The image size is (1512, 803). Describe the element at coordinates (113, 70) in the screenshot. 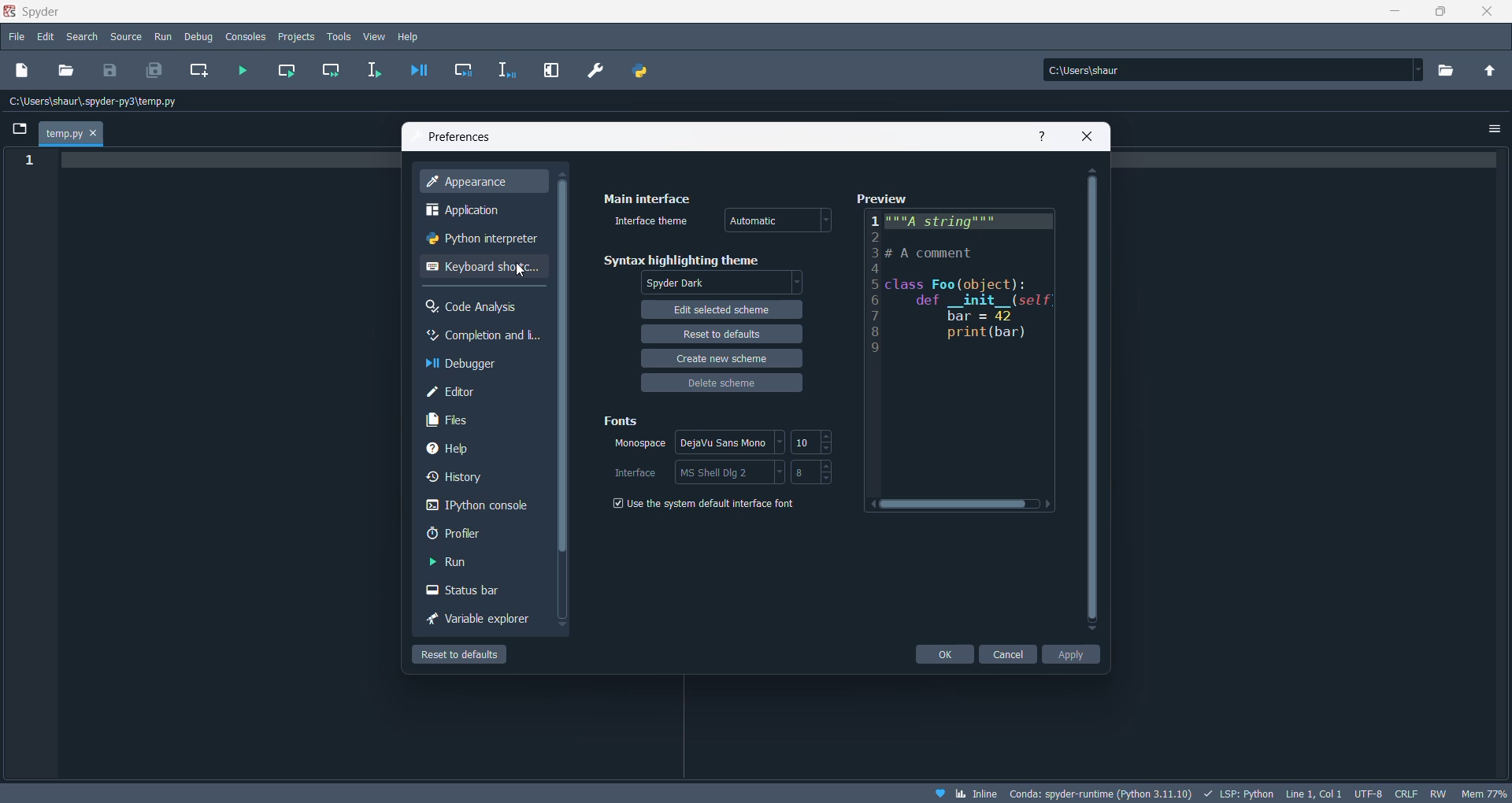

I see `save files` at that location.